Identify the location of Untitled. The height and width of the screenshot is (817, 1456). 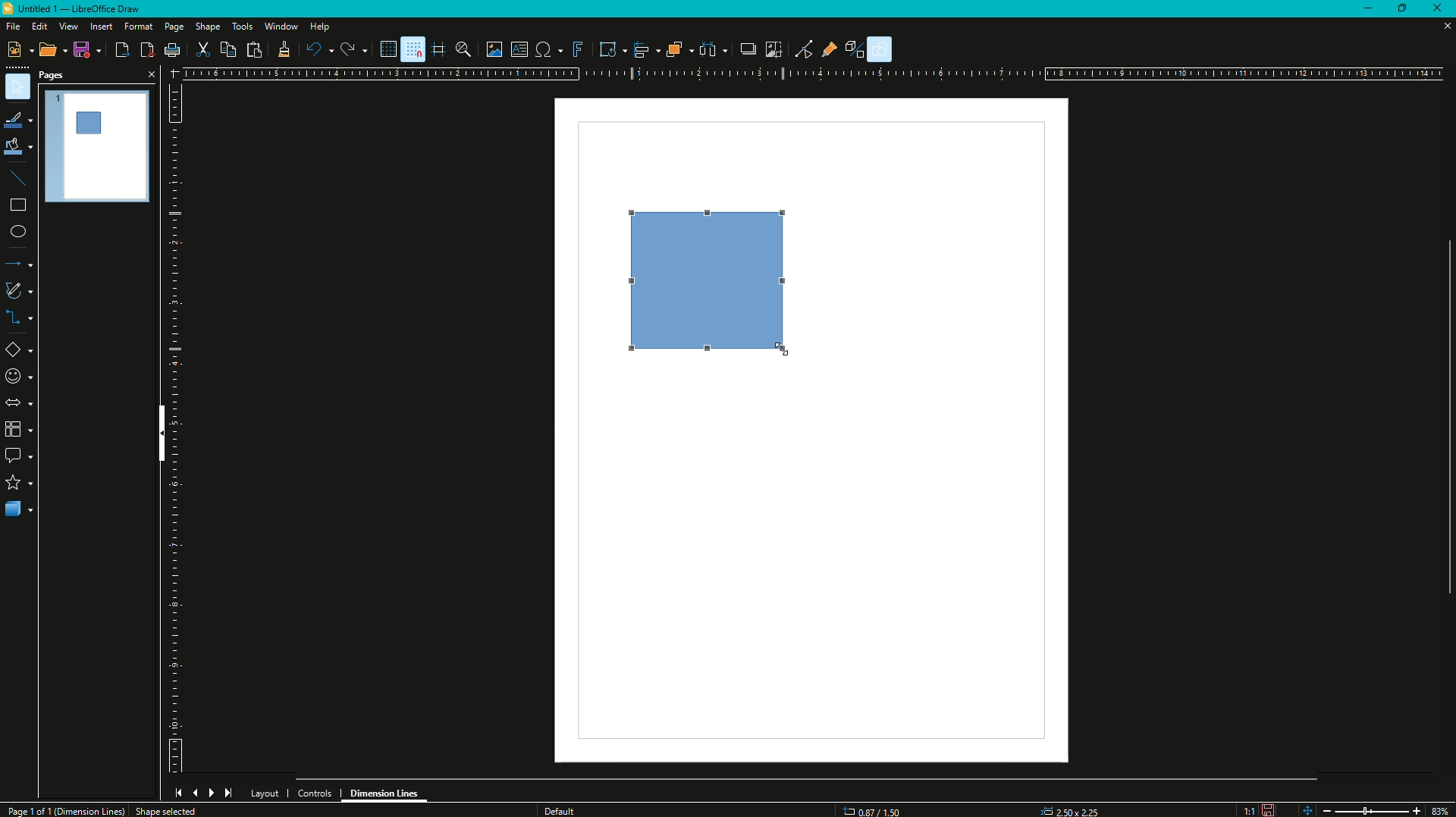
(78, 11).